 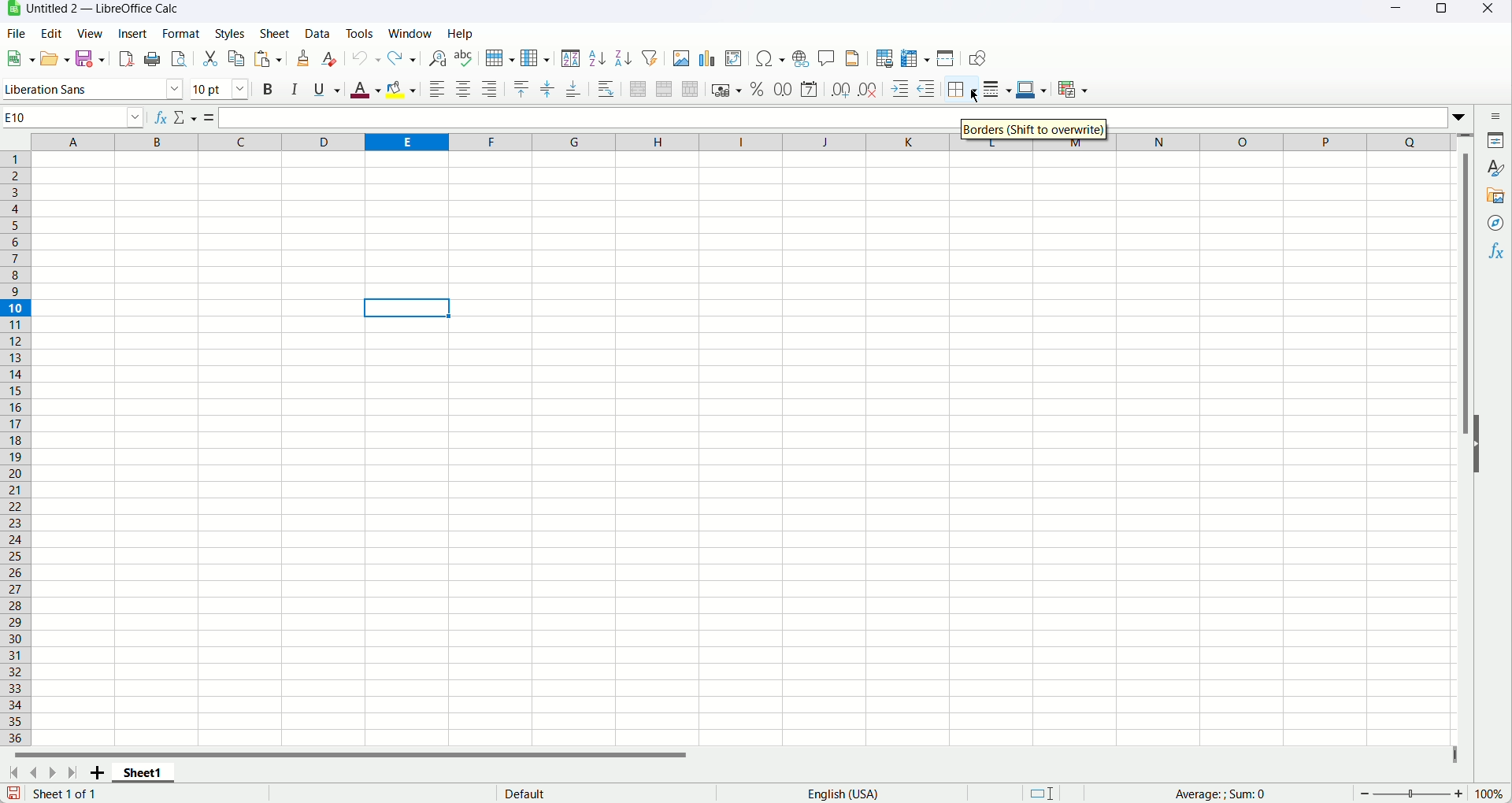 I want to click on Close, so click(x=1490, y=13).